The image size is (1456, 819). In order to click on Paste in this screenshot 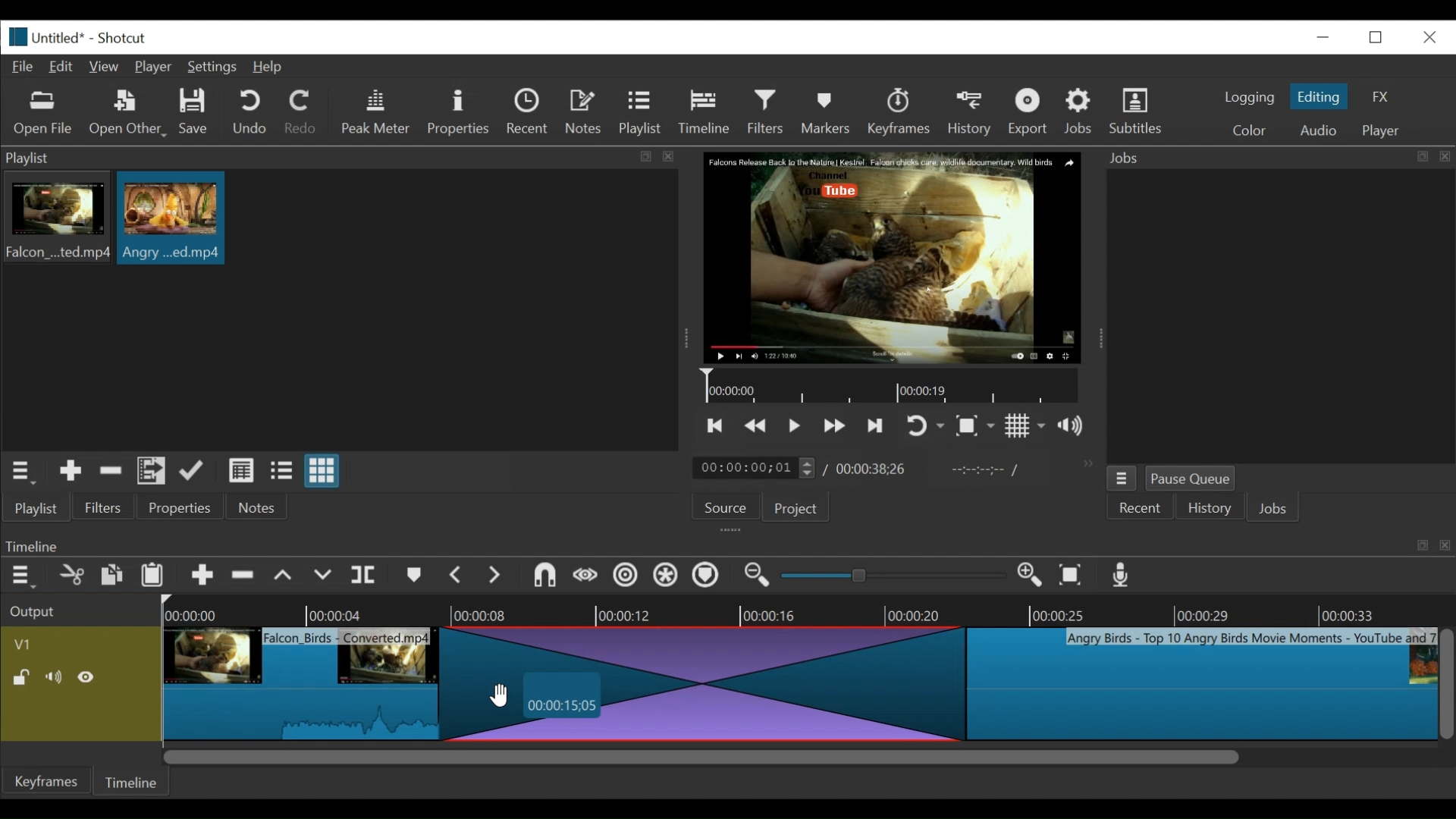, I will do `click(158, 577)`.